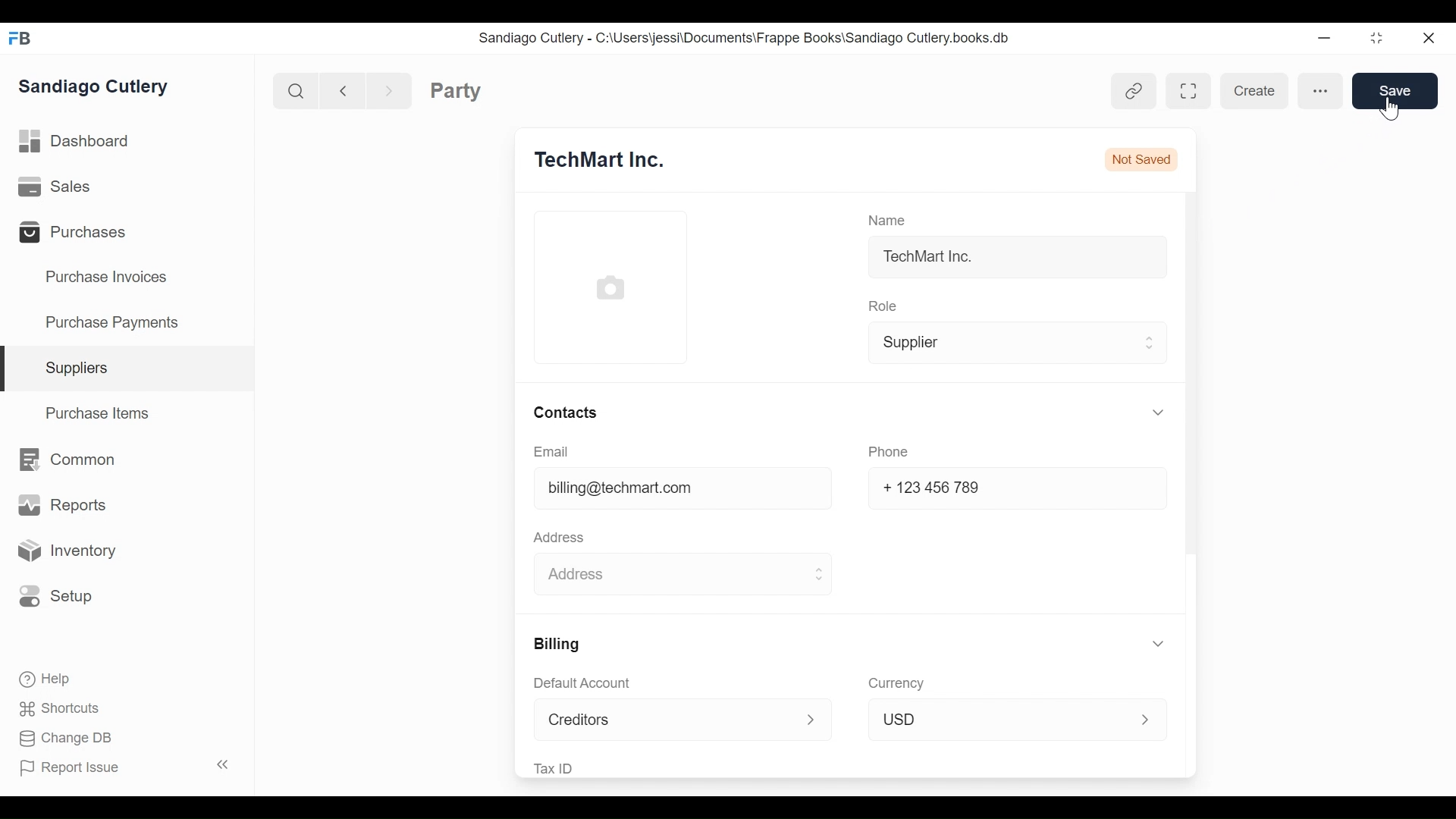 The image size is (1456, 819). Describe the element at coordinates (889, 218) in the screenshot. I see `Name` at that location.